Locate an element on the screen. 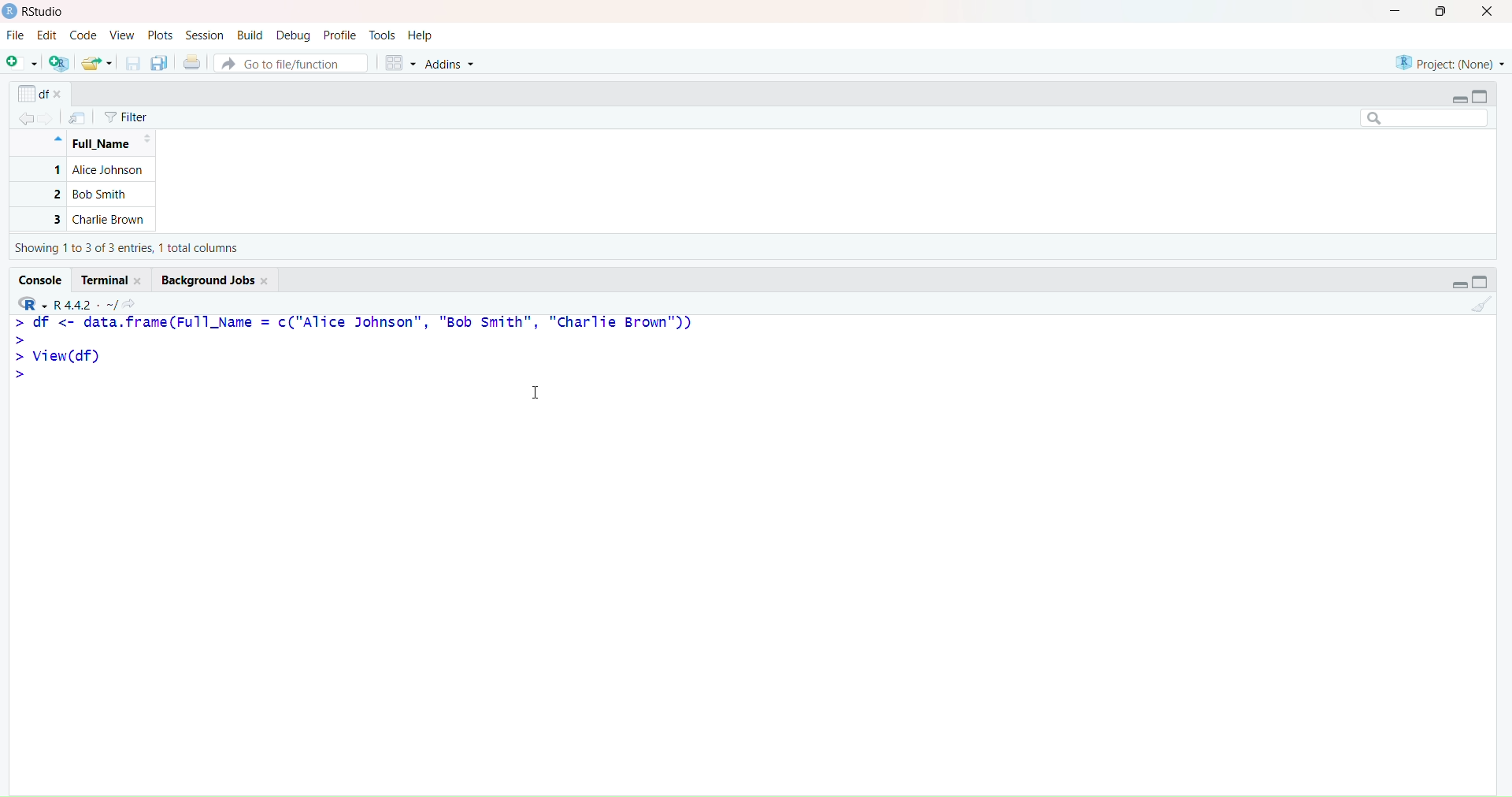  Tools is located at coordinates (383, 34).